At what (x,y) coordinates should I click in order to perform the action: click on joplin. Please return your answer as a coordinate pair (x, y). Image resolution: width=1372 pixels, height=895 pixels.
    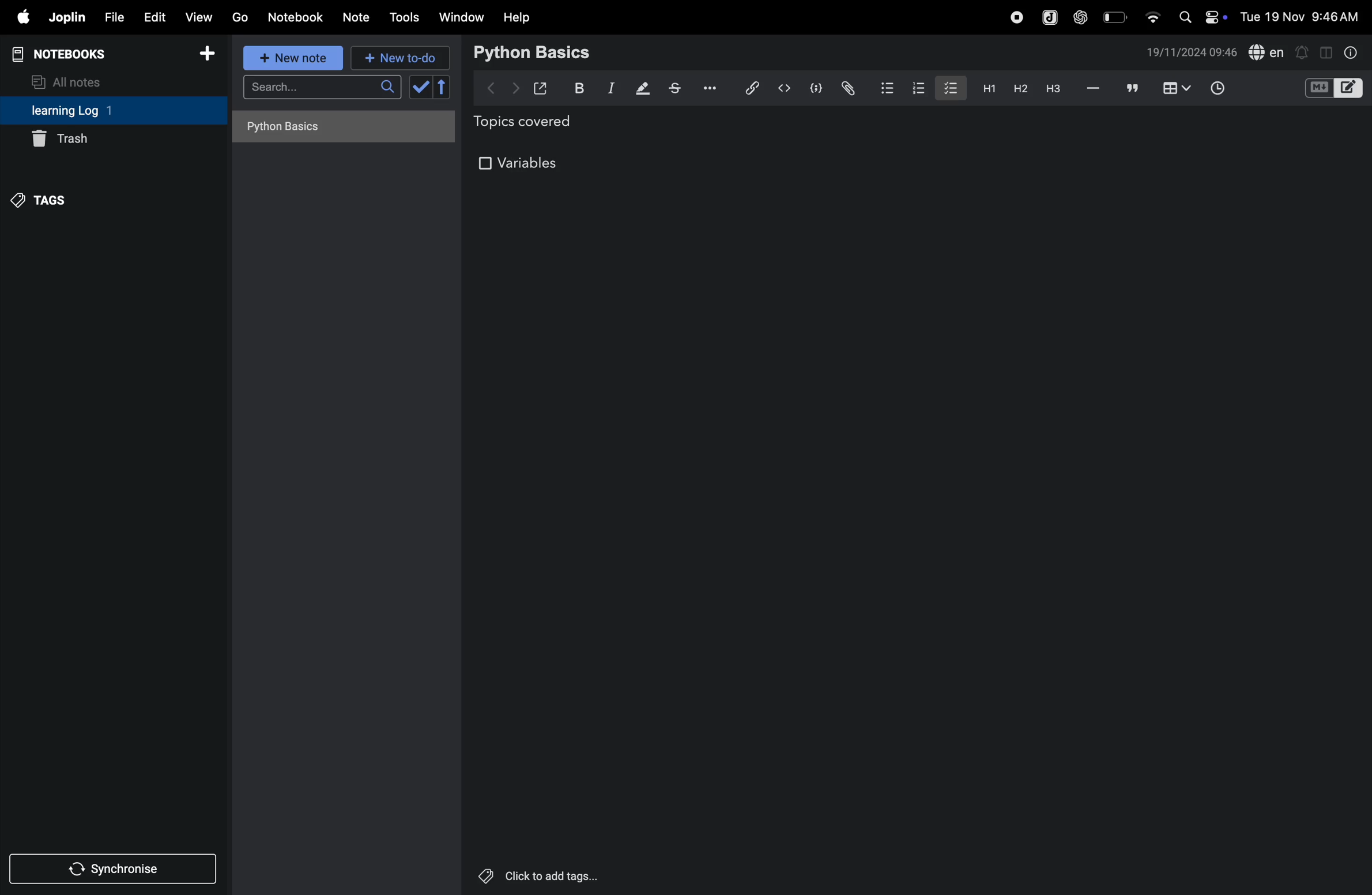
    Looking at the image, I should click on (66, 17).